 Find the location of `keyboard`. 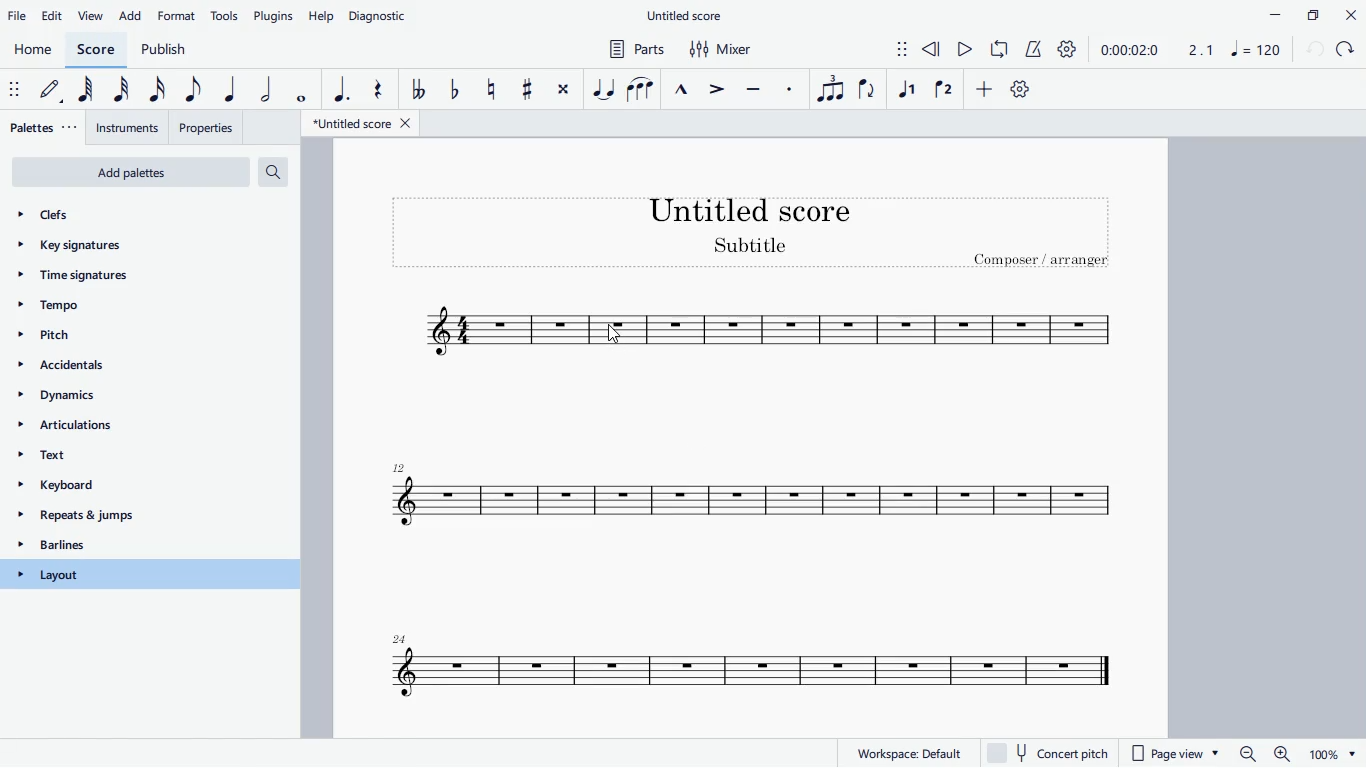

keyboard is located at coordinates (139, 488).